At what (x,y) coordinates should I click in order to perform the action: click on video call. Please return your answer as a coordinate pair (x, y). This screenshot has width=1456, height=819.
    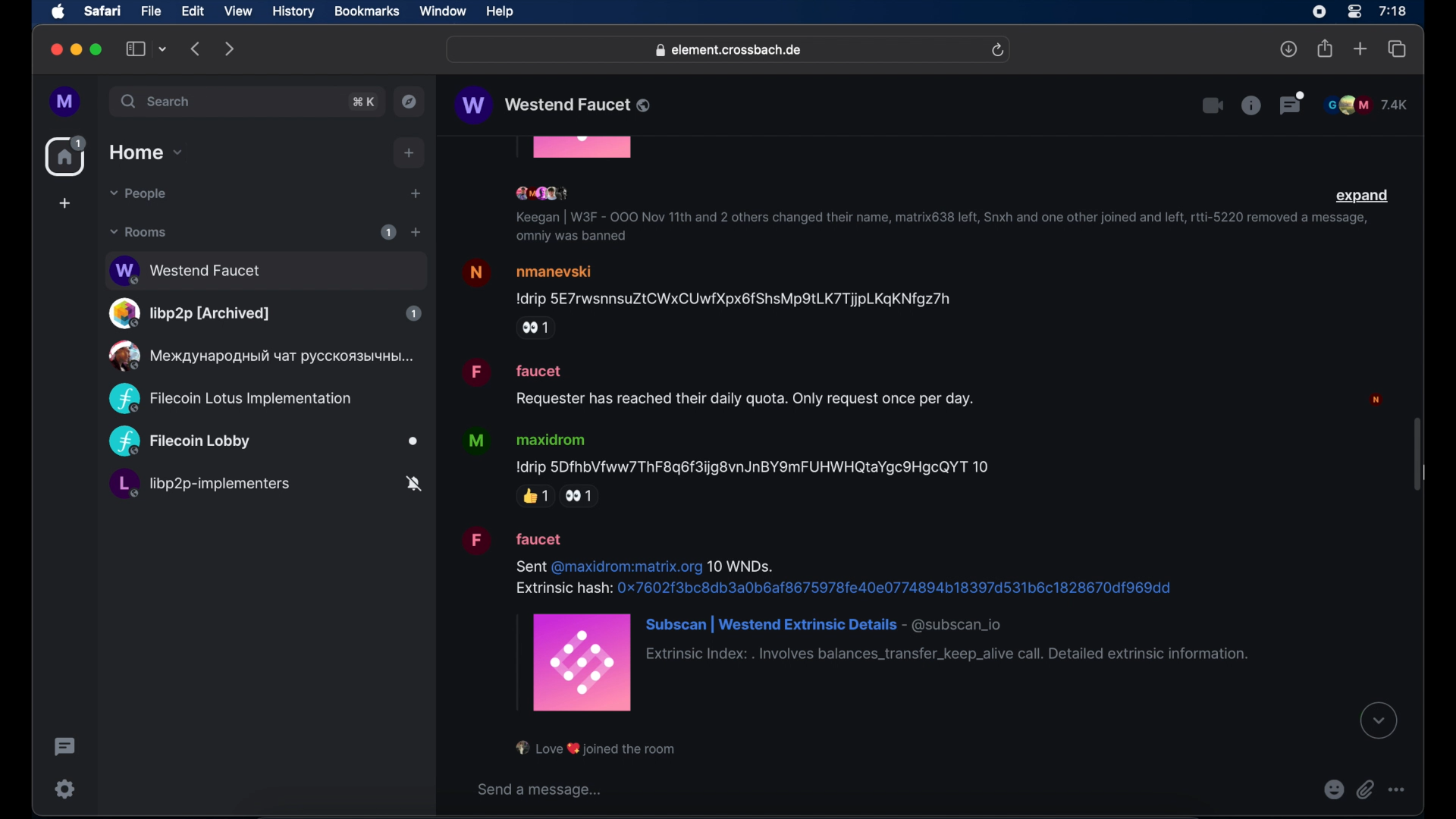
    Looking at the image, I should click on (1211, 106).